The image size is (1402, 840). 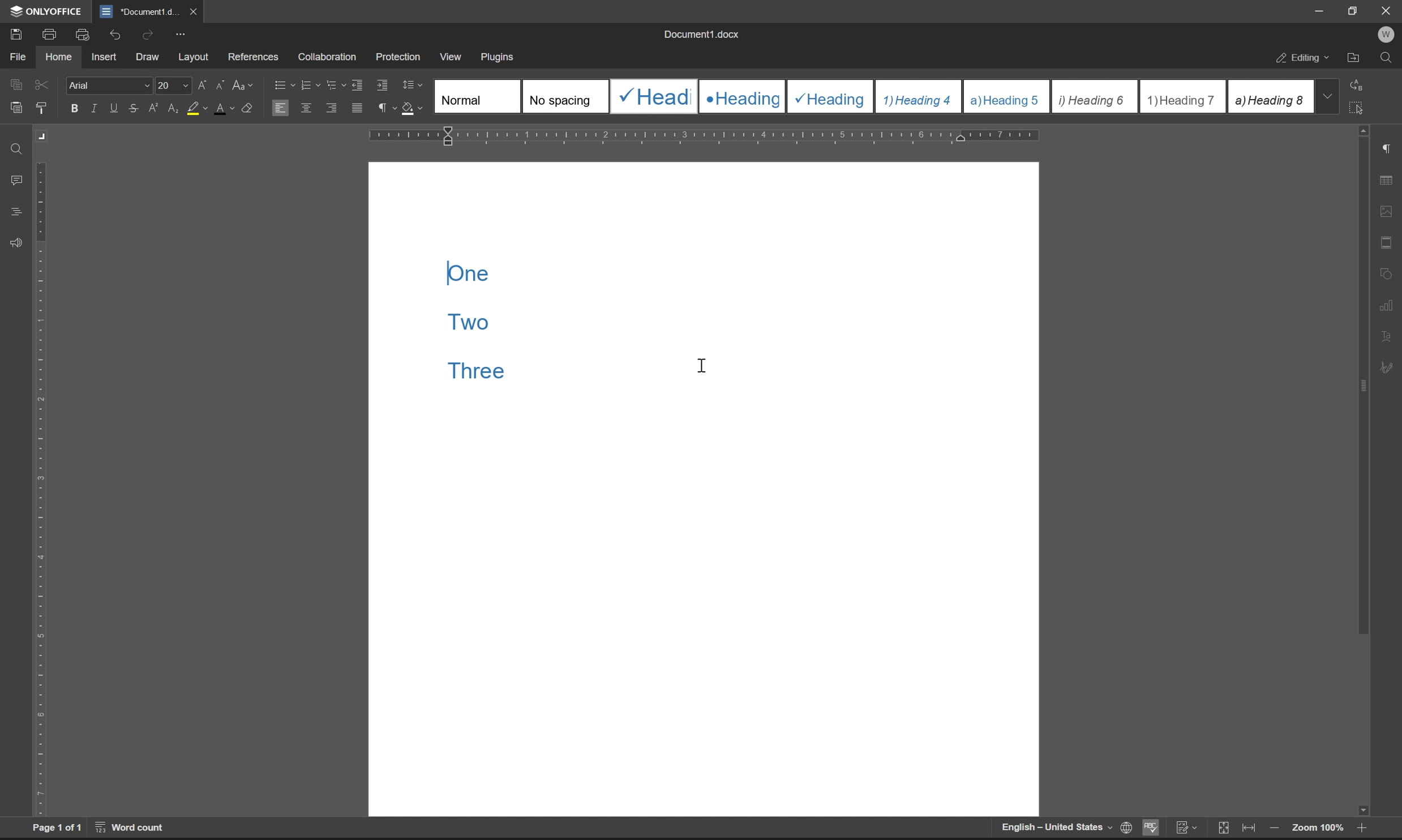 I want to click on ruler, so click(x=41, y=488).